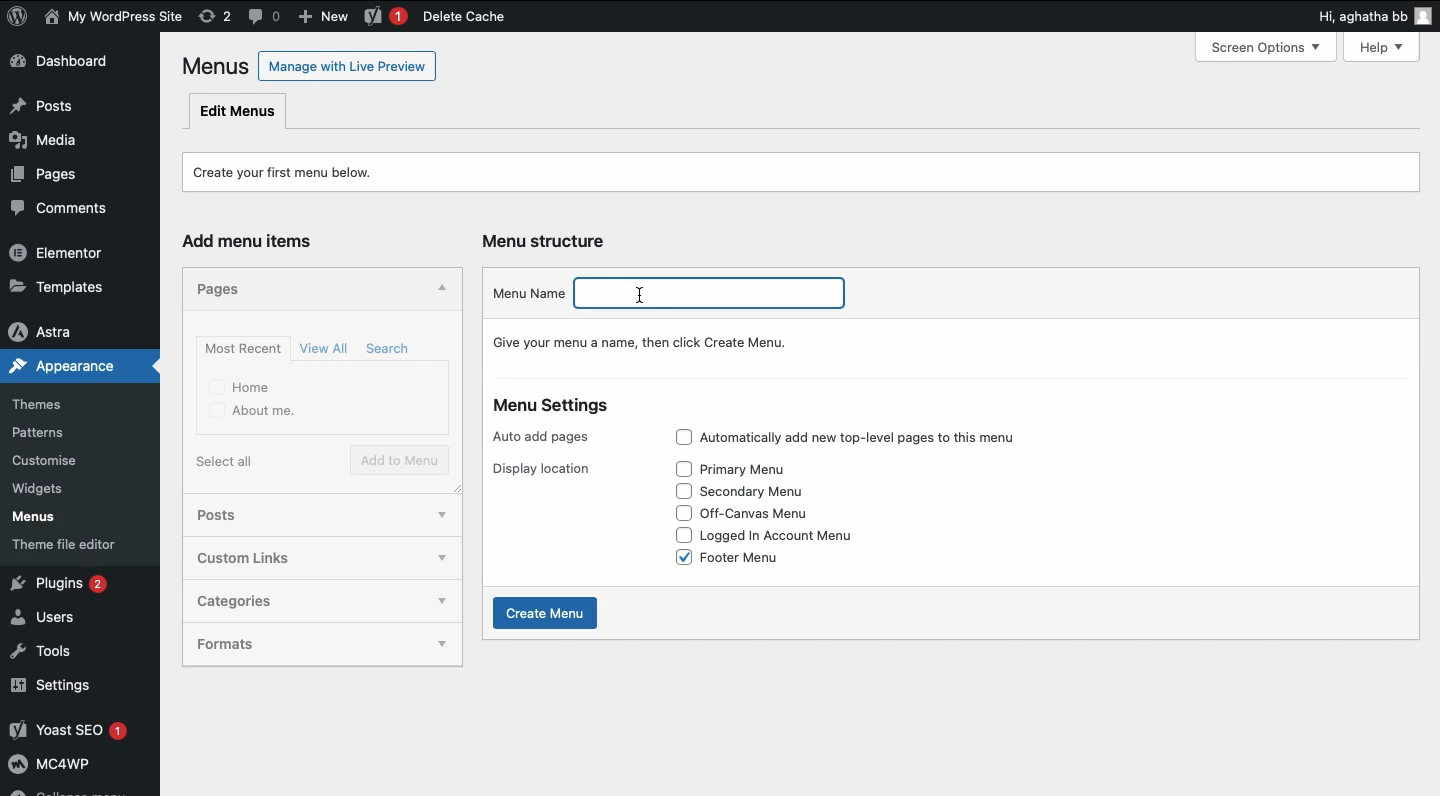 This screenshot has width=1440, height=796. I want to click on About me., so click(251, 412).